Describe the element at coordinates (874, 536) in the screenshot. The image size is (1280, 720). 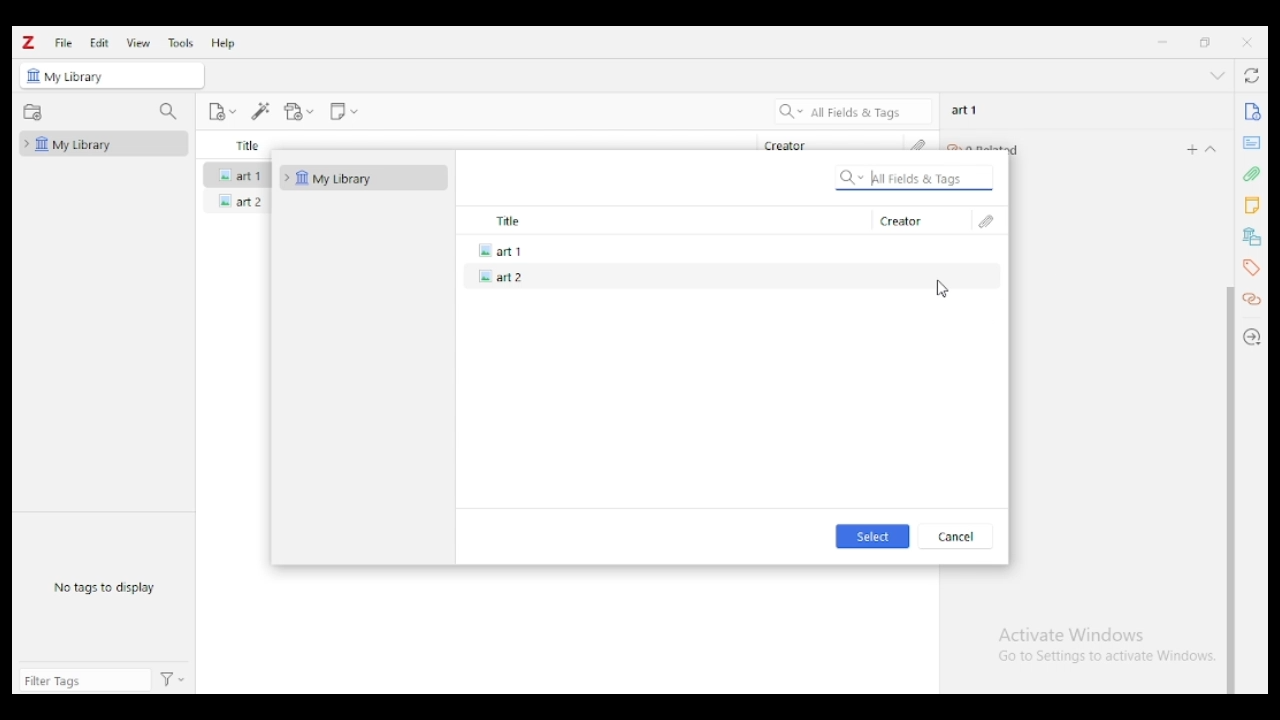
I see `select` at that location.